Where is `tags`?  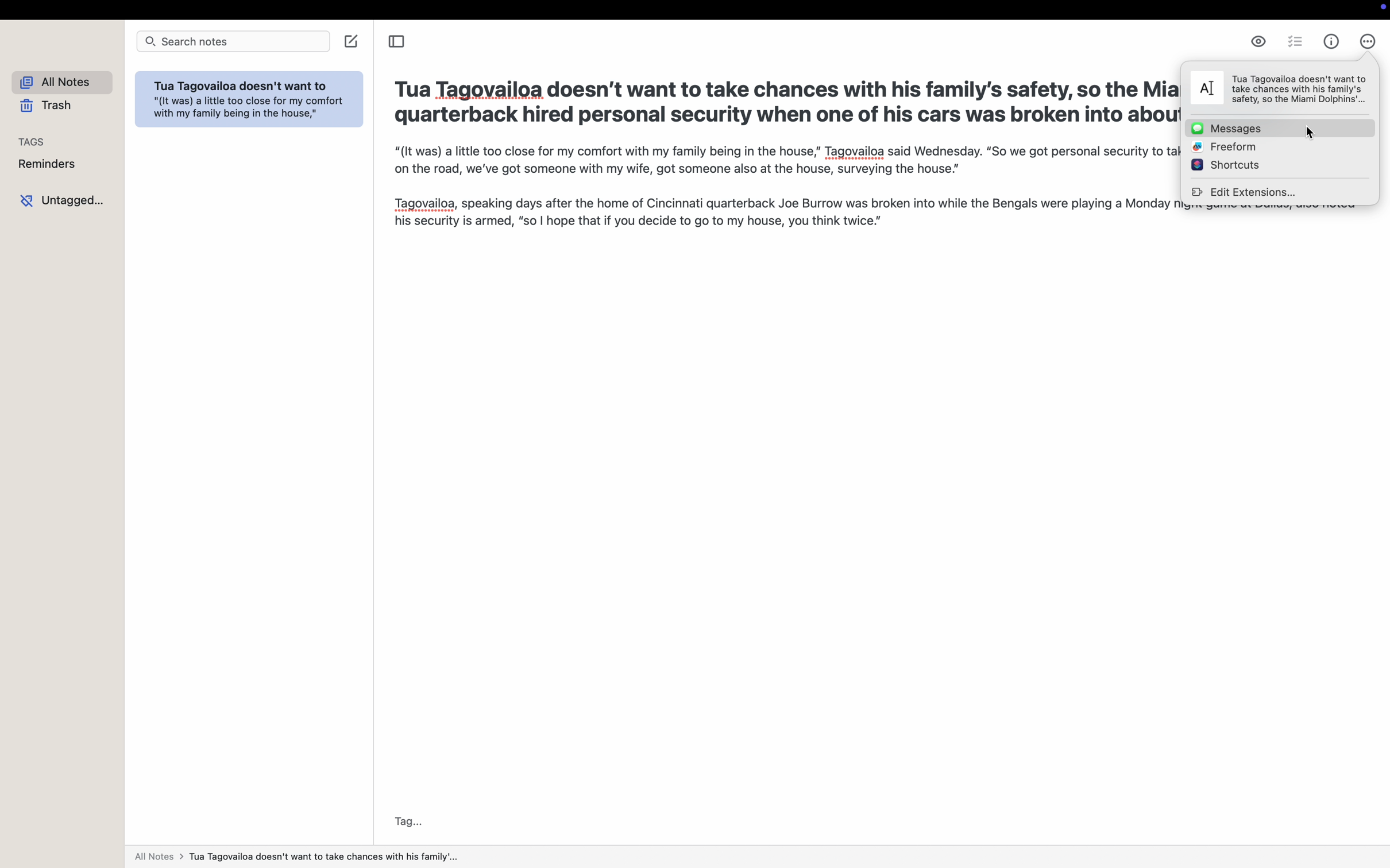 tags is located at coordinates (34, 138).